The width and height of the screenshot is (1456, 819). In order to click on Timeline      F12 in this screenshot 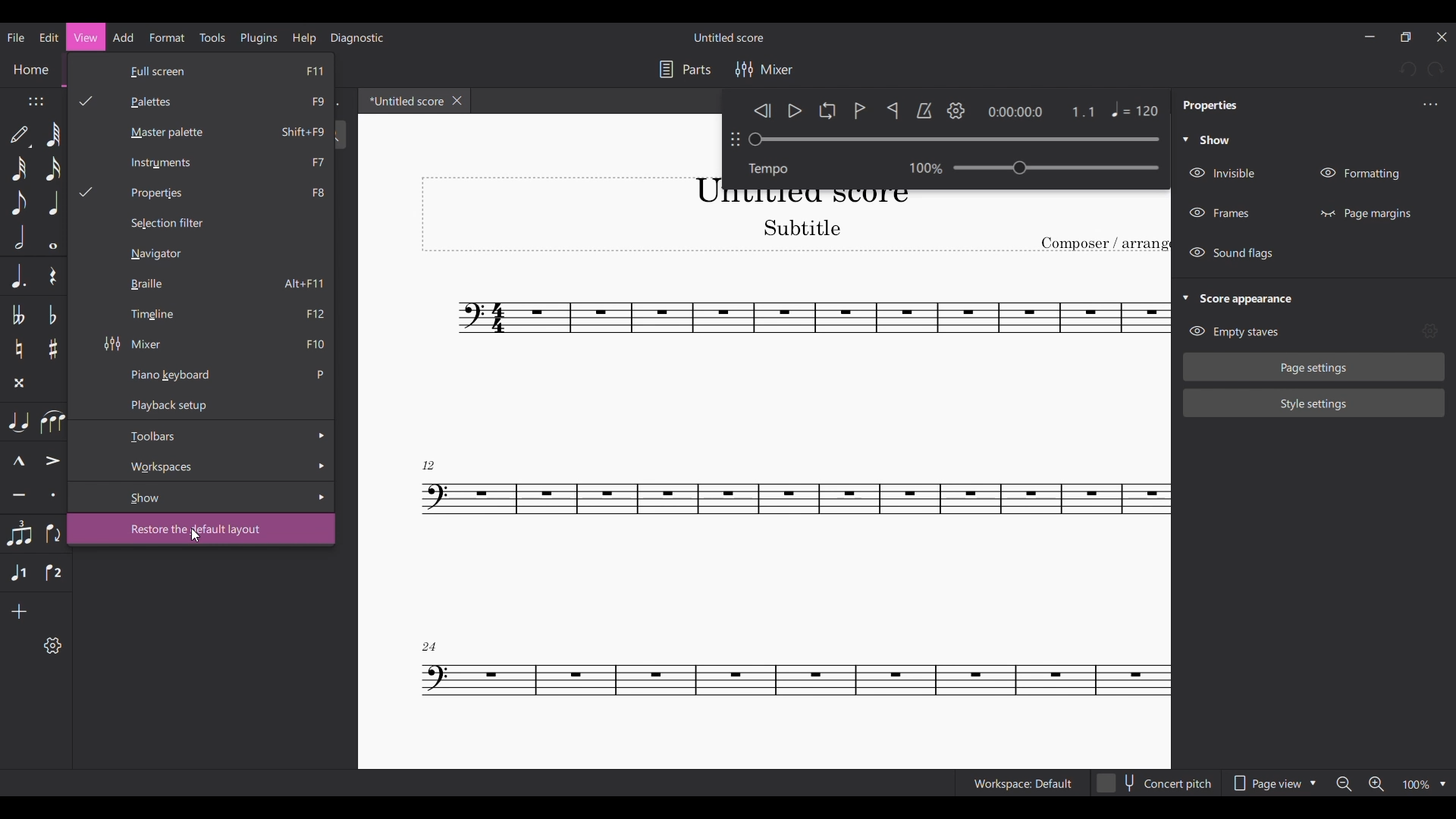, I will do `click(217, 315)`.